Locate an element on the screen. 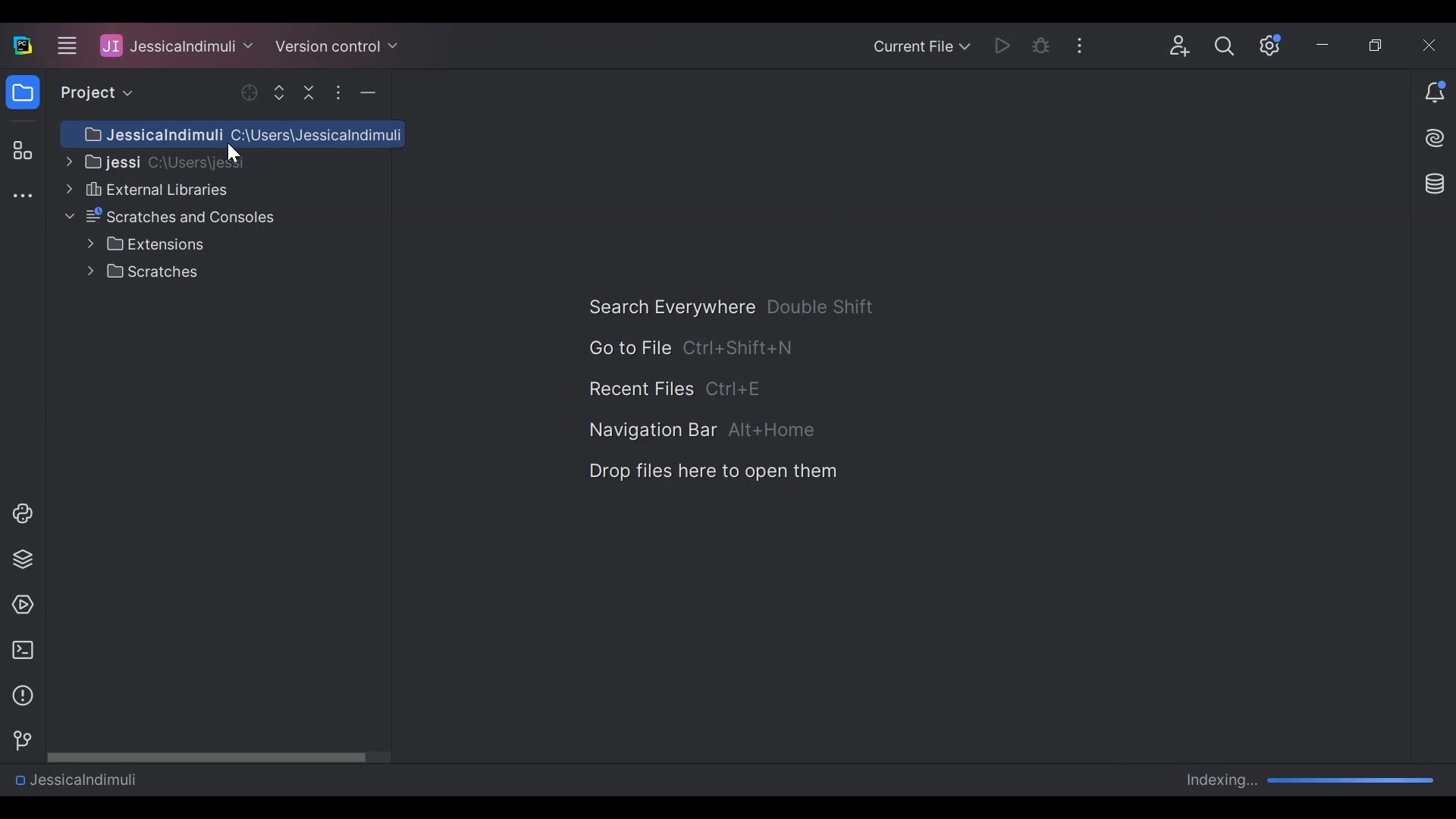 Image resolution: width=1456 pixels, height=819 pixels. Drop Files here to open them is located at coordinates (711, 472).